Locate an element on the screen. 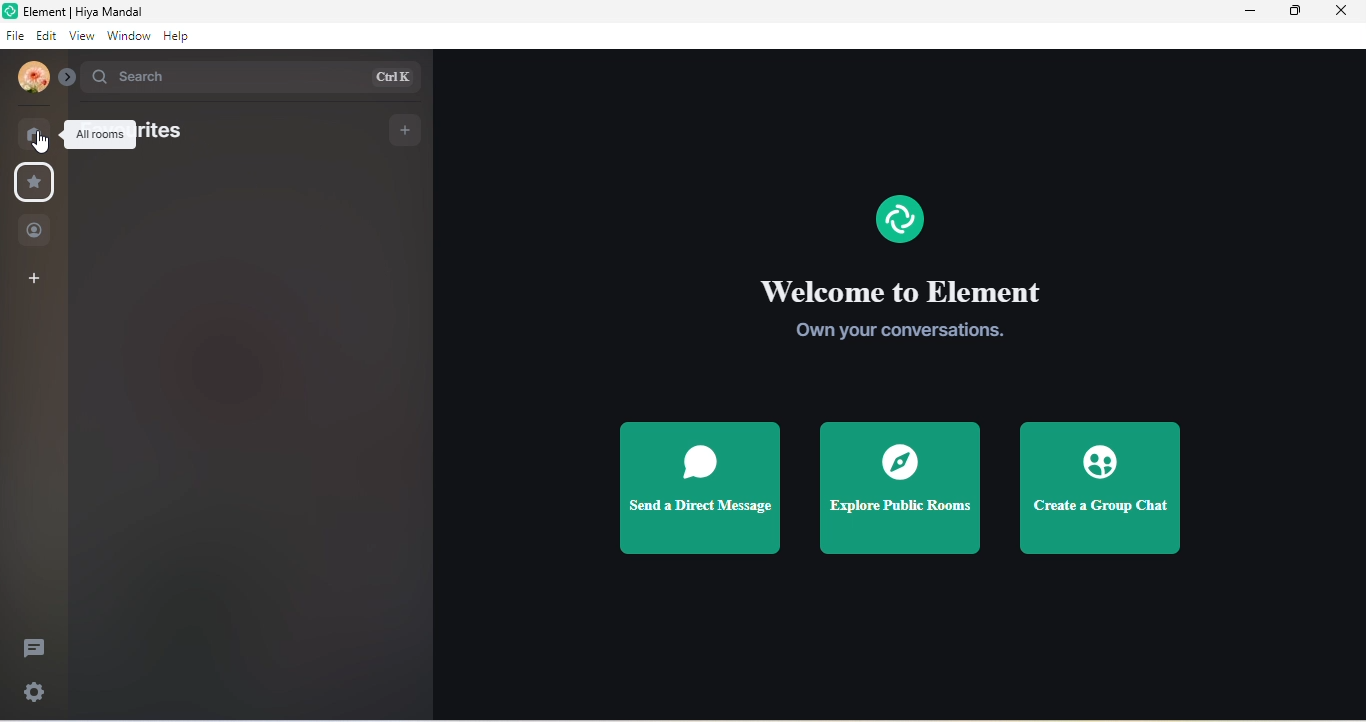 This screenshot has height=722, width=1366. Send a Direct Message is located at coordinates (701, 488).